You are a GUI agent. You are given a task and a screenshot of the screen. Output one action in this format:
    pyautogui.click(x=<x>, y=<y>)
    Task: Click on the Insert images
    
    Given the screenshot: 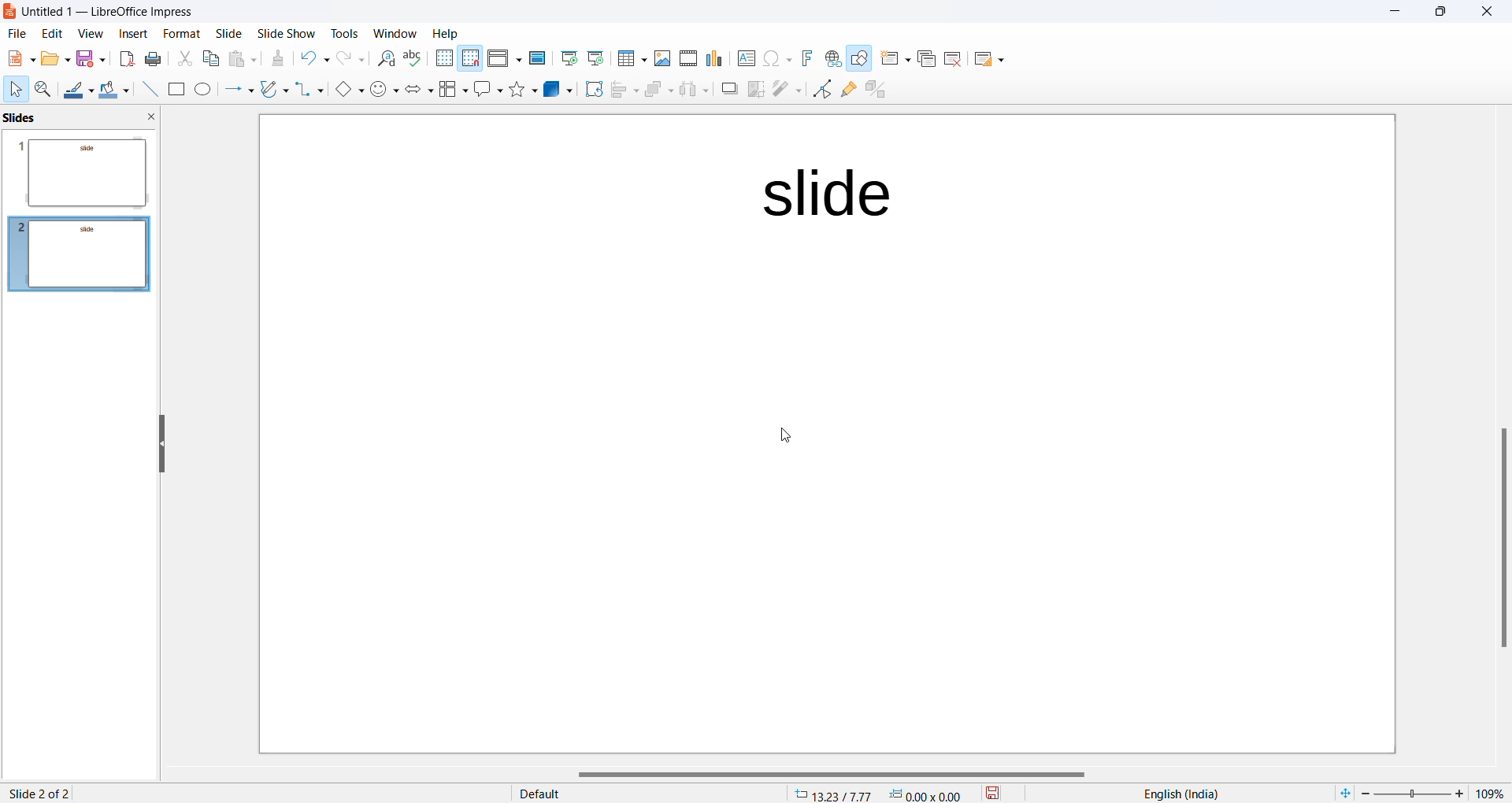 What is the action you would take?
    pyautogui.click(x=660, y=57)
    